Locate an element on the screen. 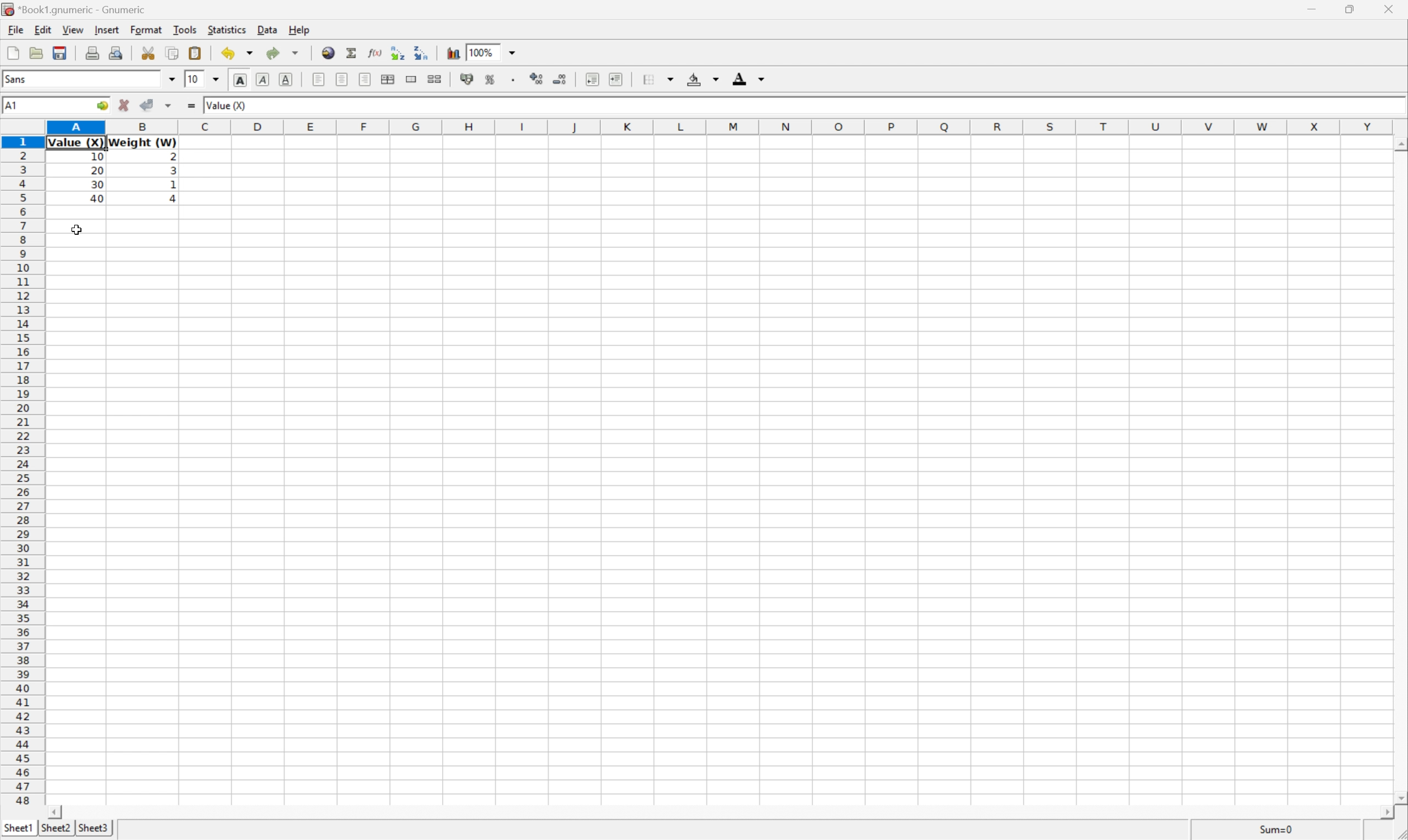 The image size is (1408, 840). Minimize is located at coordinates (1311, 8).